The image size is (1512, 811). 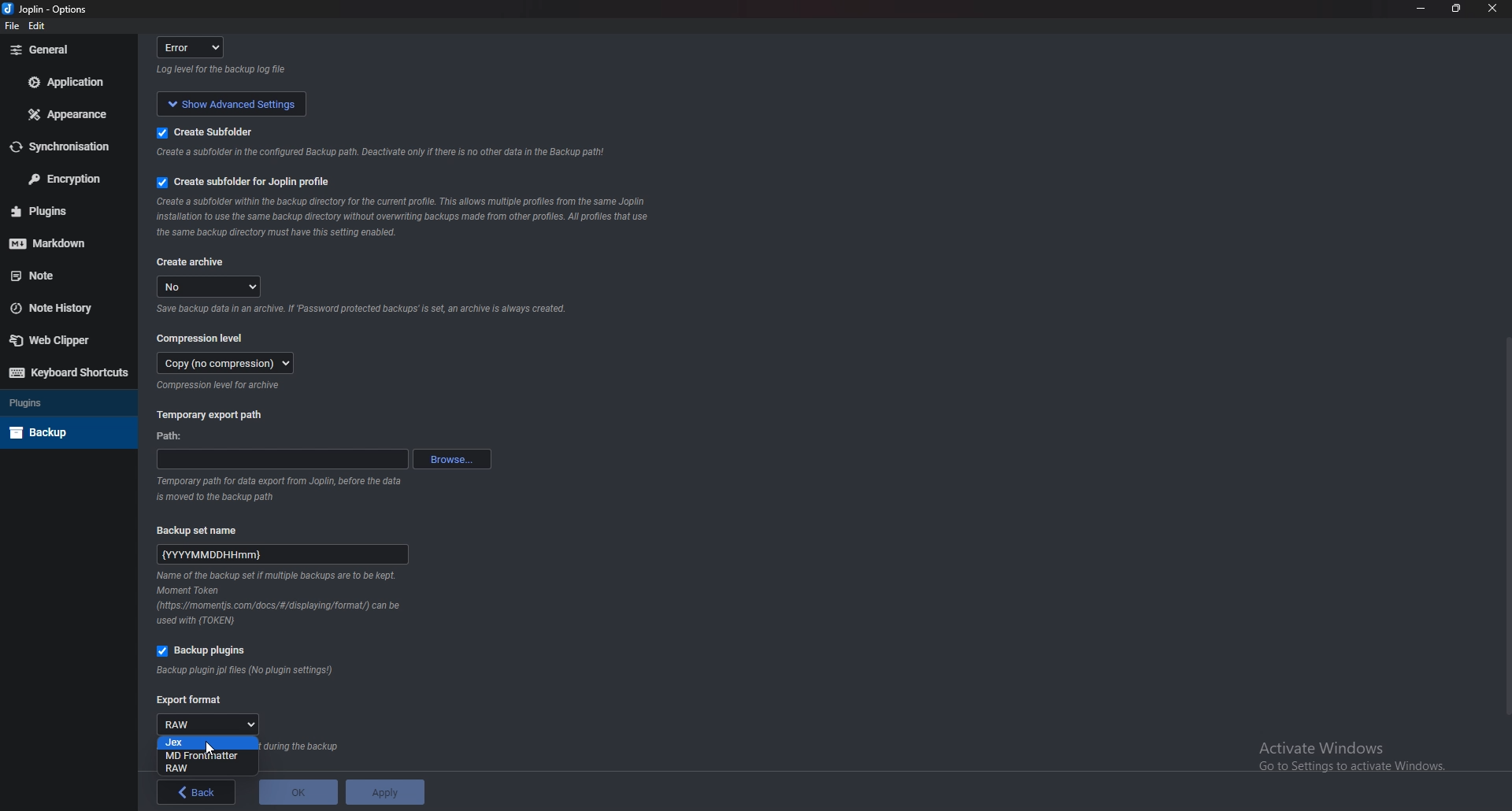 I want to click on Plugins, so click(x=65, y=402).